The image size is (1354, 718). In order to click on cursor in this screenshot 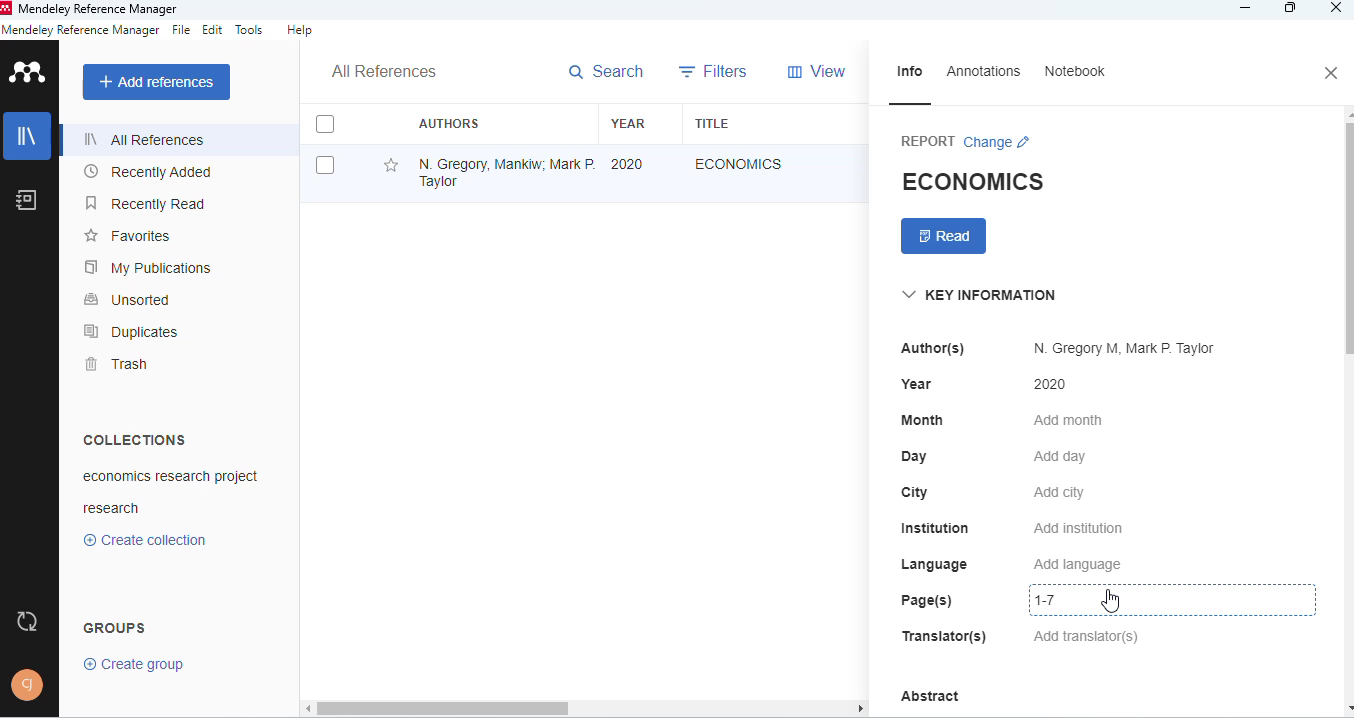, I will do `click(1111, 600)`.